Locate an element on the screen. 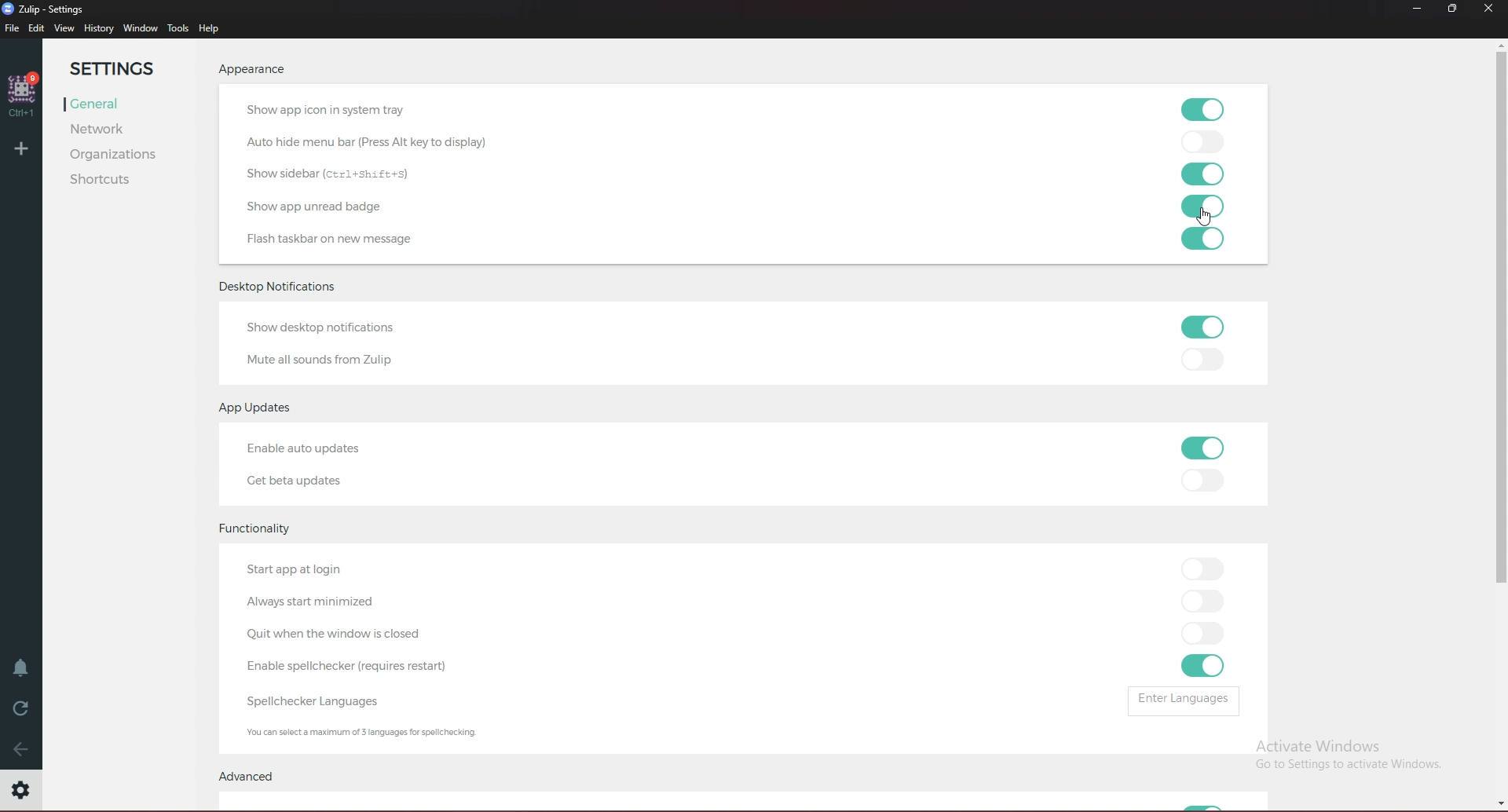  home is located at coordinates (24, 96).